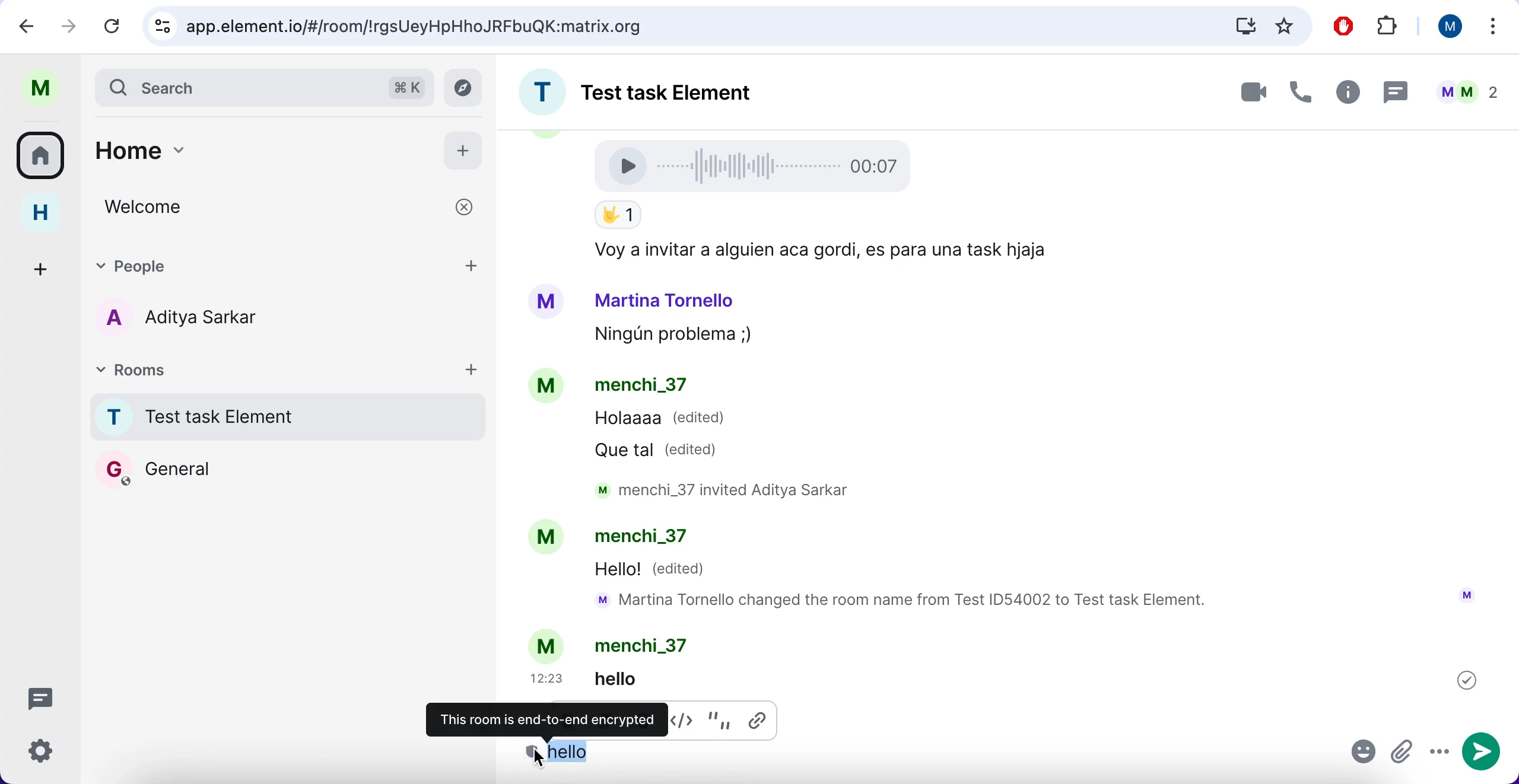  What do you see at coordinates (284, 416) in the screenshot?
I see `room name` at bounding box center [284, 416].